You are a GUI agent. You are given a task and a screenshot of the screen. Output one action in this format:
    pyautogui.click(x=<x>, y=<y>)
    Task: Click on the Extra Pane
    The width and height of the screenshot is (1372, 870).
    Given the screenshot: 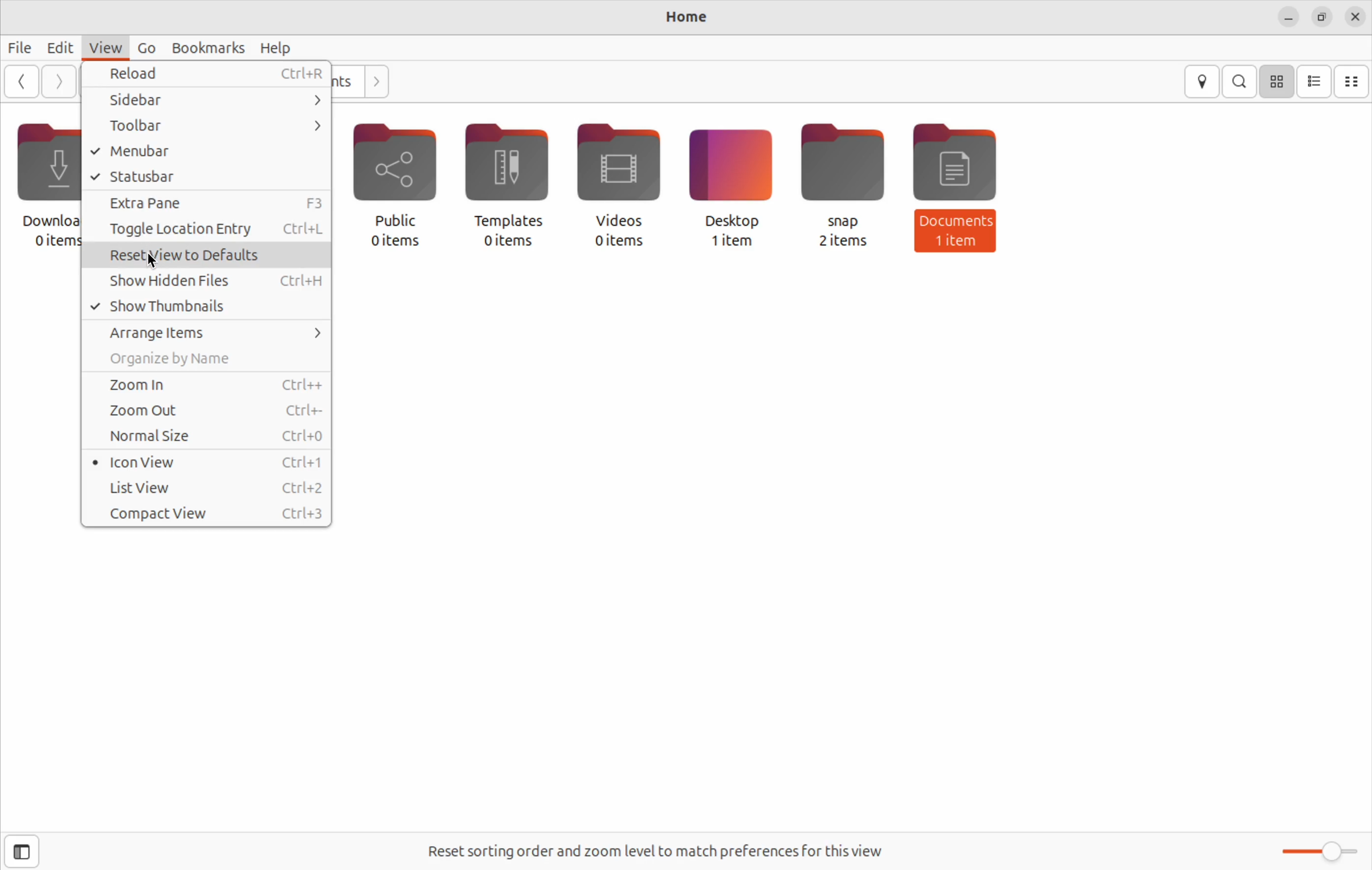 What is the action you would take?
    pyautogui.click(x=207, y=203)
    